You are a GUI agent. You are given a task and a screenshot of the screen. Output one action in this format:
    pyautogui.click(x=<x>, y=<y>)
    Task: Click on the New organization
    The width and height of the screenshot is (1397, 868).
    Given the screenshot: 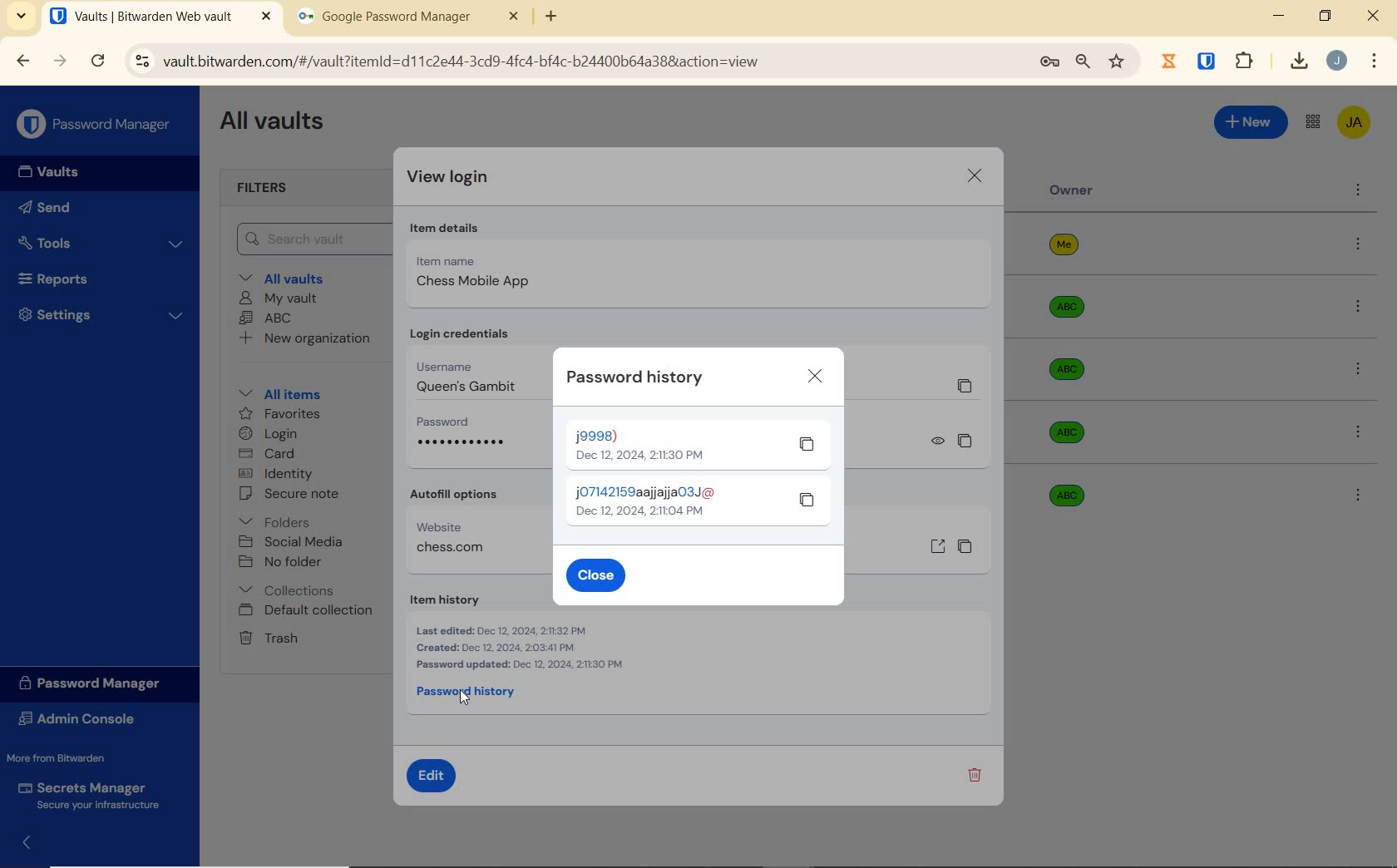 What is the action you would take?
    pyautogui.click(x=307, y=341)
    